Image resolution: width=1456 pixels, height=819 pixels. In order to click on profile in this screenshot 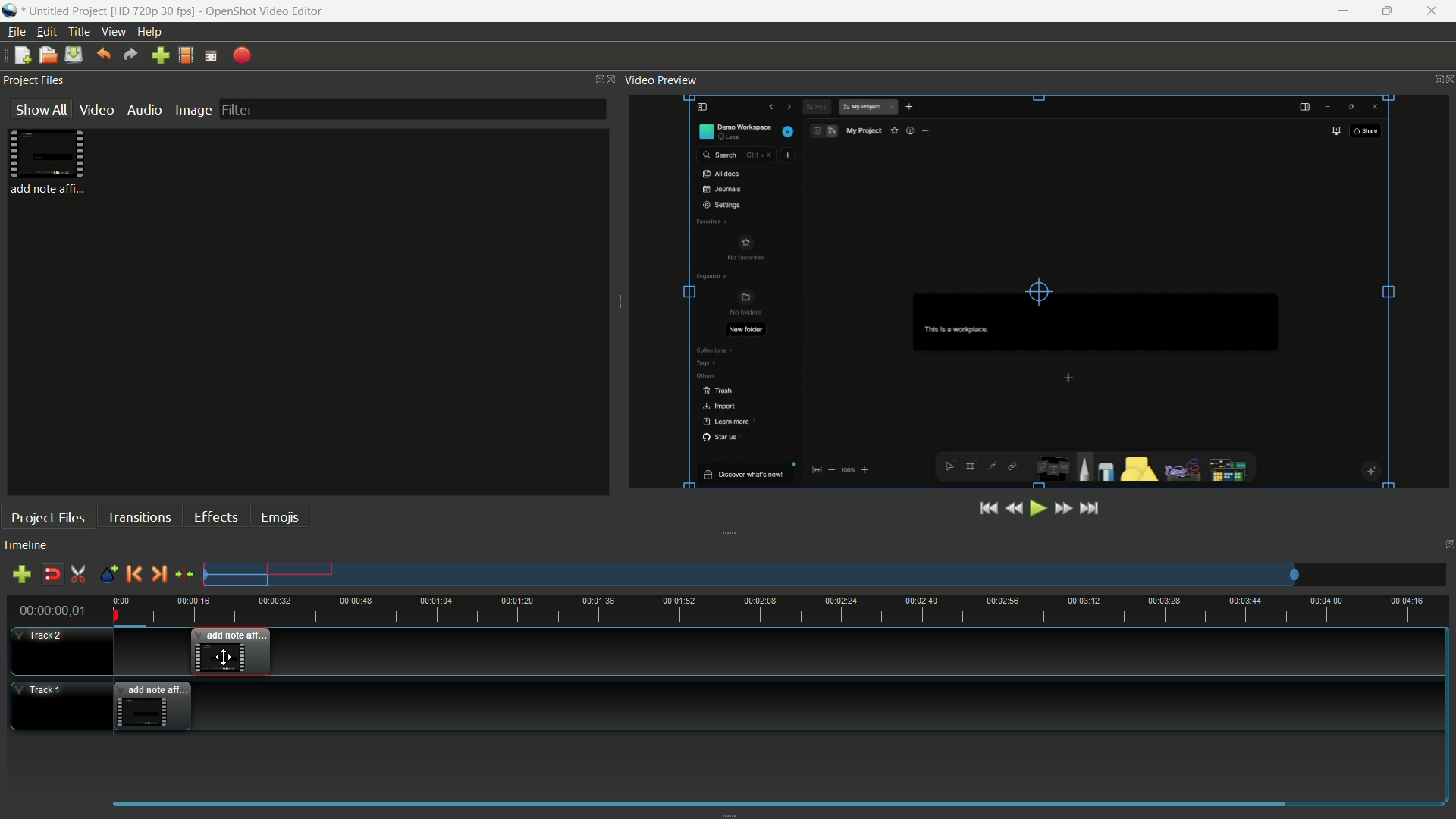, I will do `click(186, 56)`.